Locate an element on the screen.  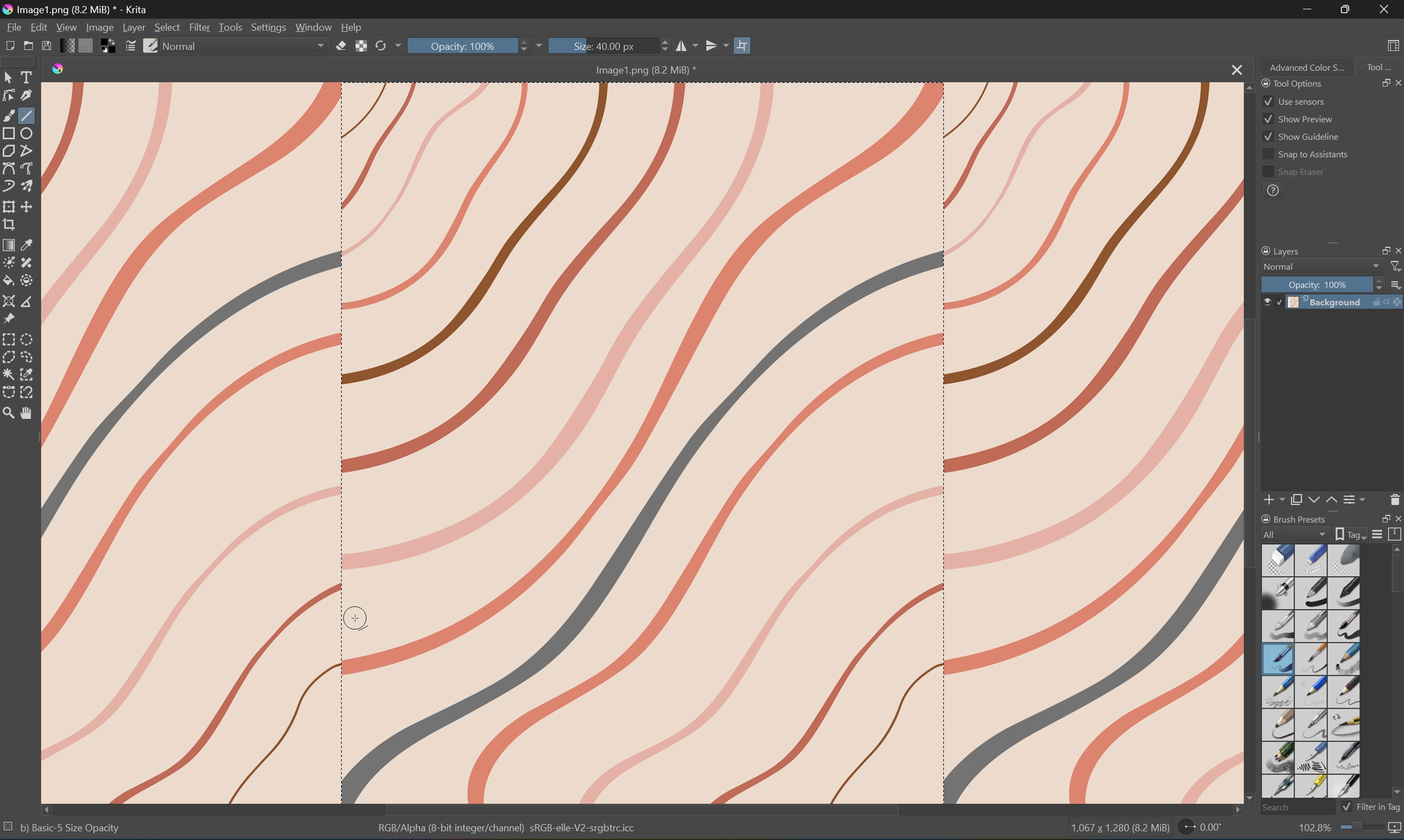
Filter in tag is located at coordinates (1380, 807).